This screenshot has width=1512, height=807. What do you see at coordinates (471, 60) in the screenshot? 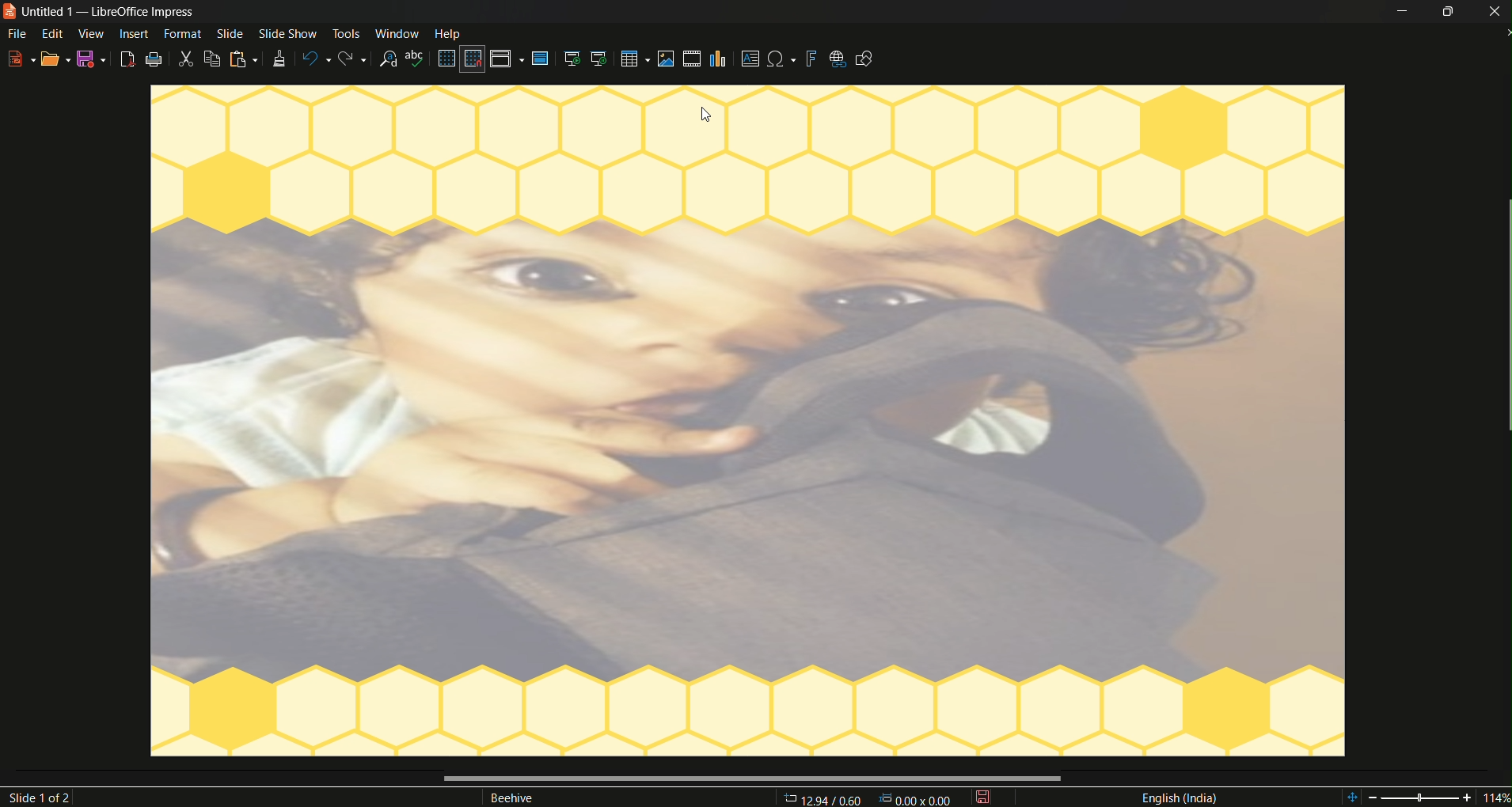
I see `snap to grid` at bounding box center [471, 60].